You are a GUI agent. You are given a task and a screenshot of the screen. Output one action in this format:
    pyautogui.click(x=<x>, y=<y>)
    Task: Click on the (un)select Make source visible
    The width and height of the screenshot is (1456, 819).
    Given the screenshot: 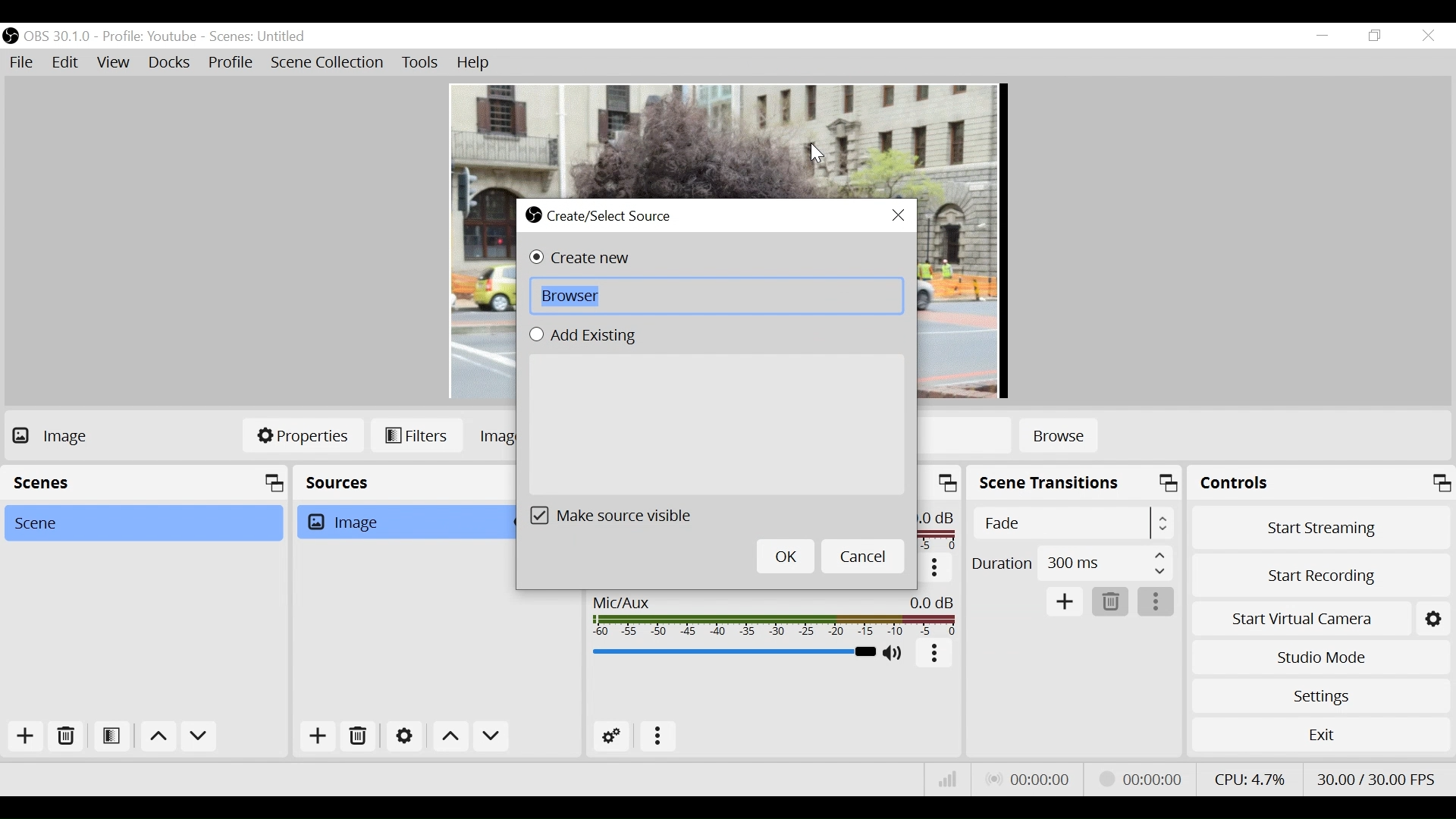 What is the action you would take?
    pyautogui.click(x=621, y=516)
    